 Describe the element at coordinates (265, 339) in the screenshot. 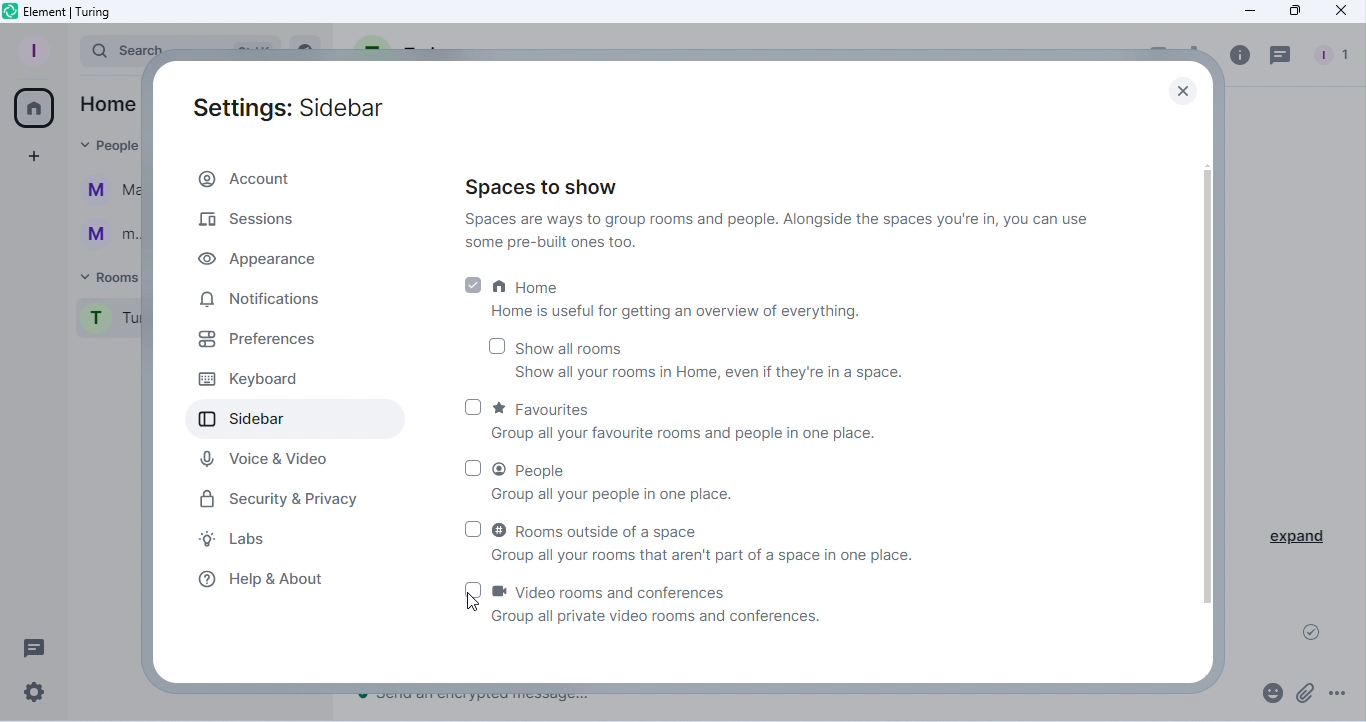

I see `Prefrences` at that location.